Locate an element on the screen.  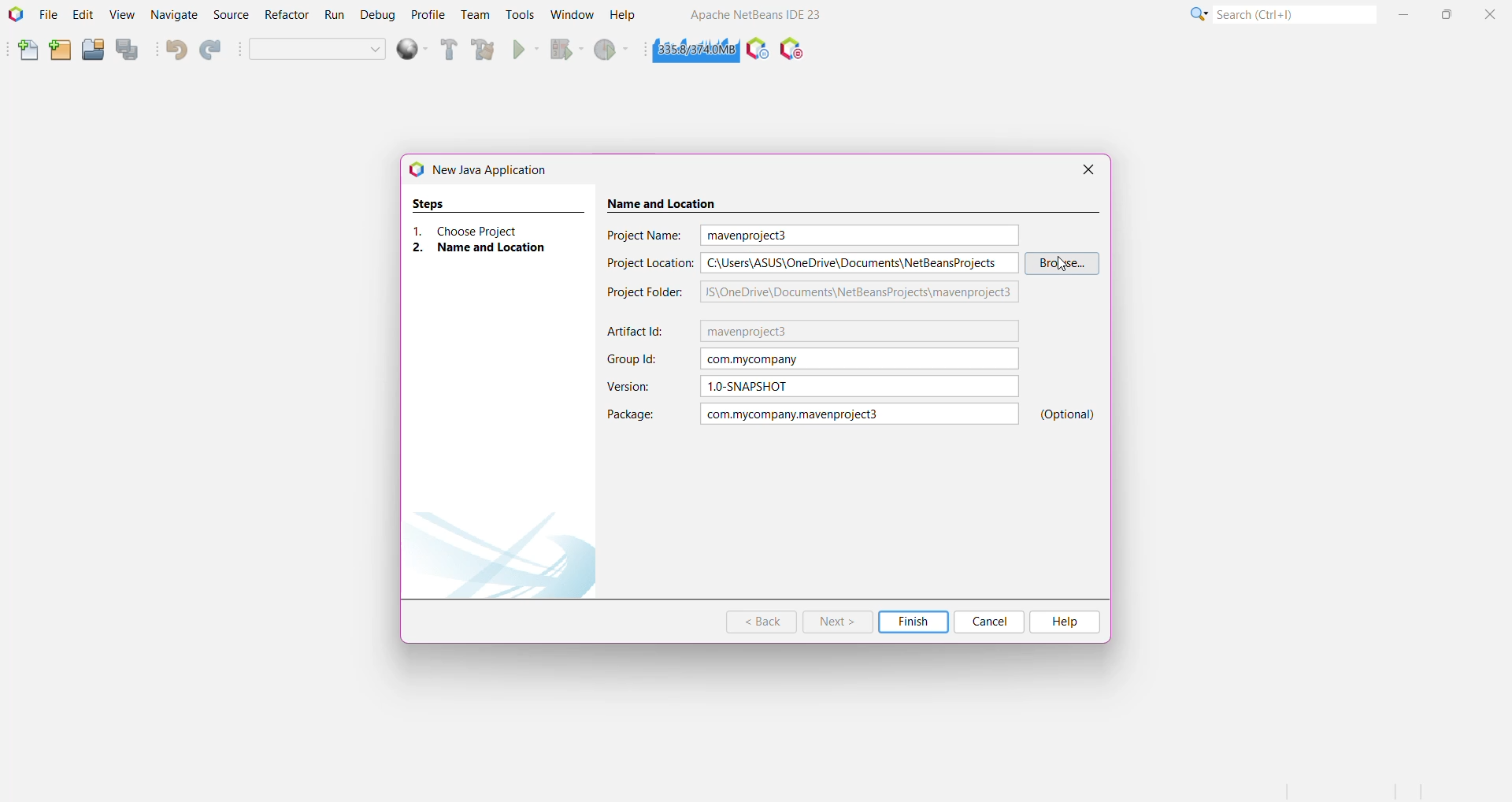
Set Project Configuration is located at coordinates (317, 49).